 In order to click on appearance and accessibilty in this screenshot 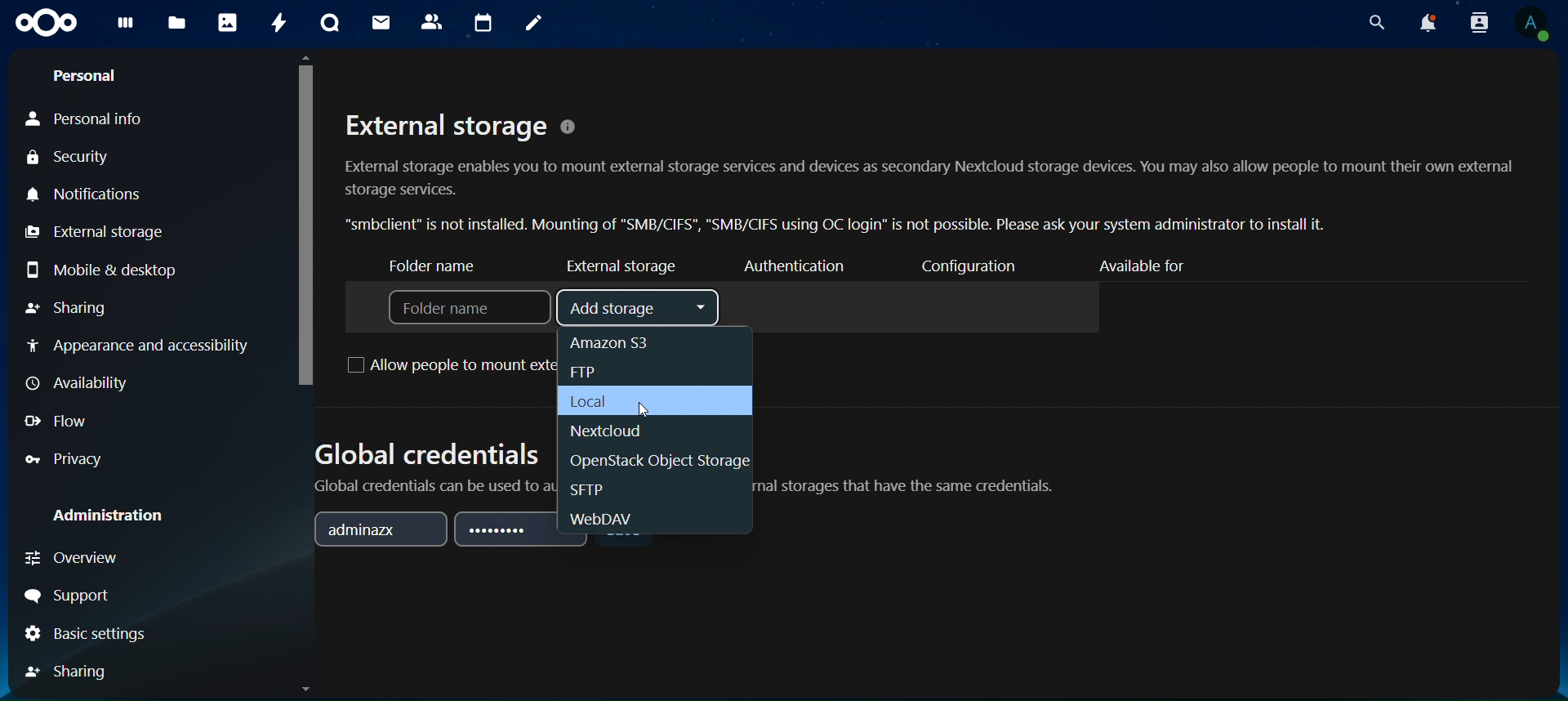, I will do `click(143, 346)`.